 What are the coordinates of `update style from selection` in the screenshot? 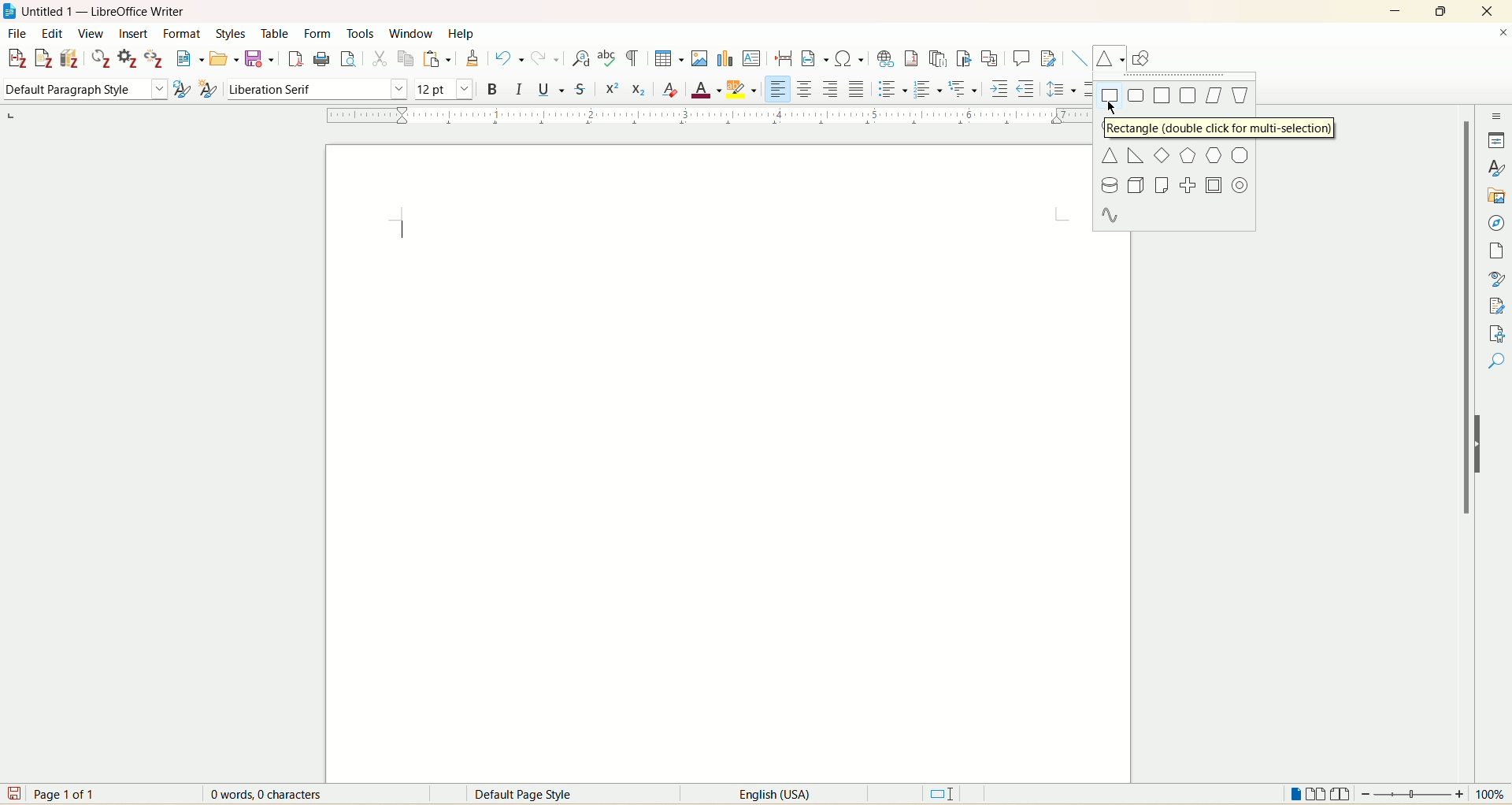 It's located at (181, 88).